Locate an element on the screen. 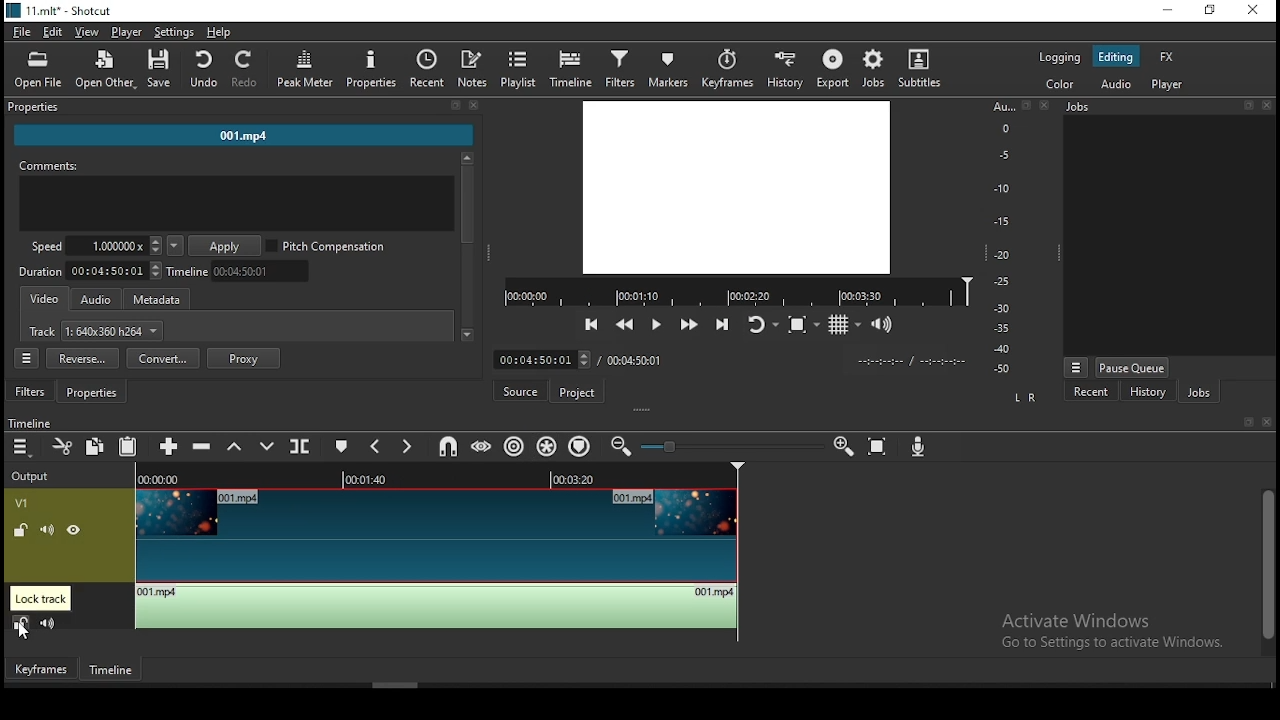  v1 is located at coordinates (23, 502).